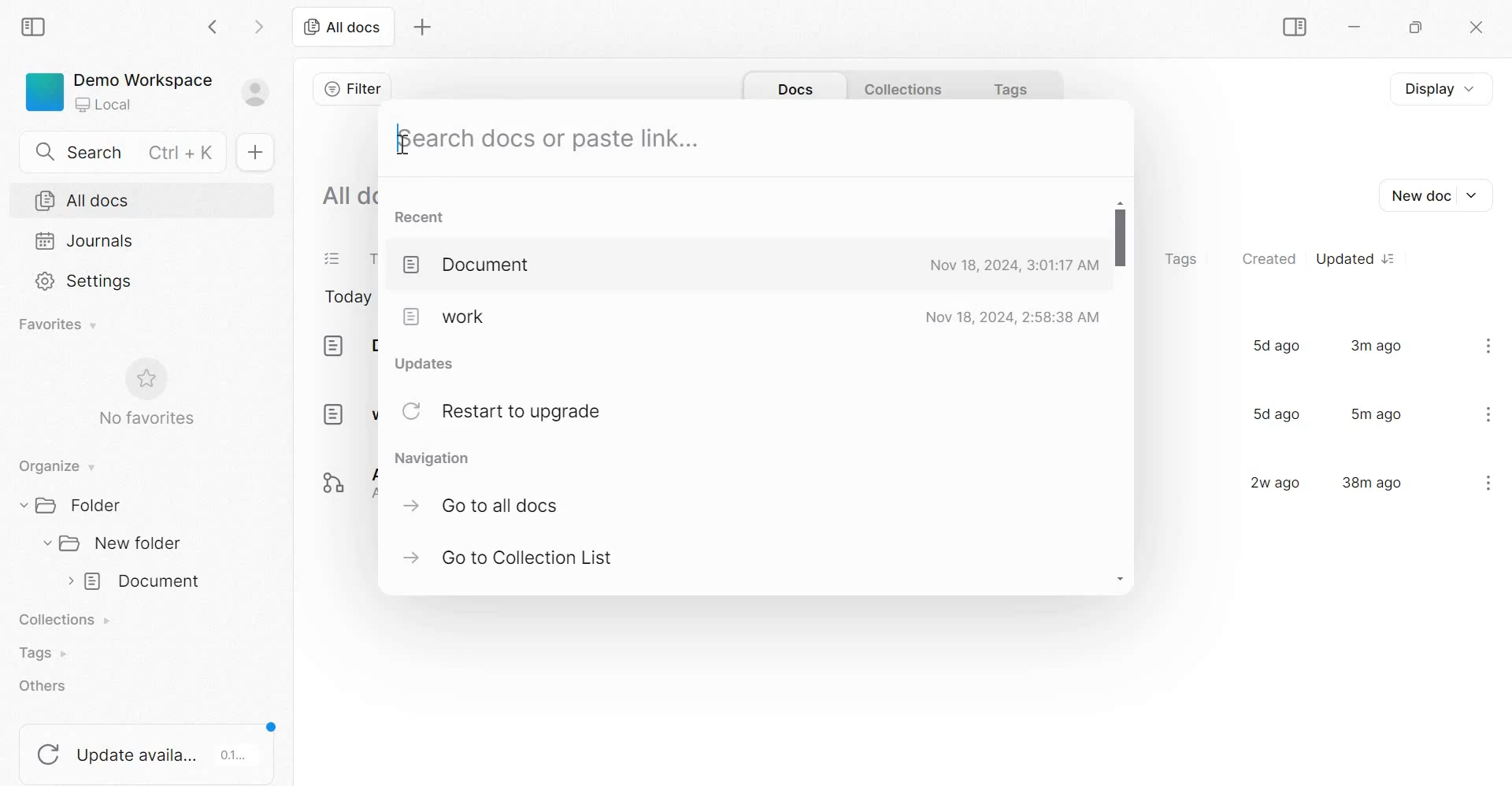  What do you see at coordinates (343, 478) in the screenshot?
I see `Affine dashboards` at bounding box center [343, 478].